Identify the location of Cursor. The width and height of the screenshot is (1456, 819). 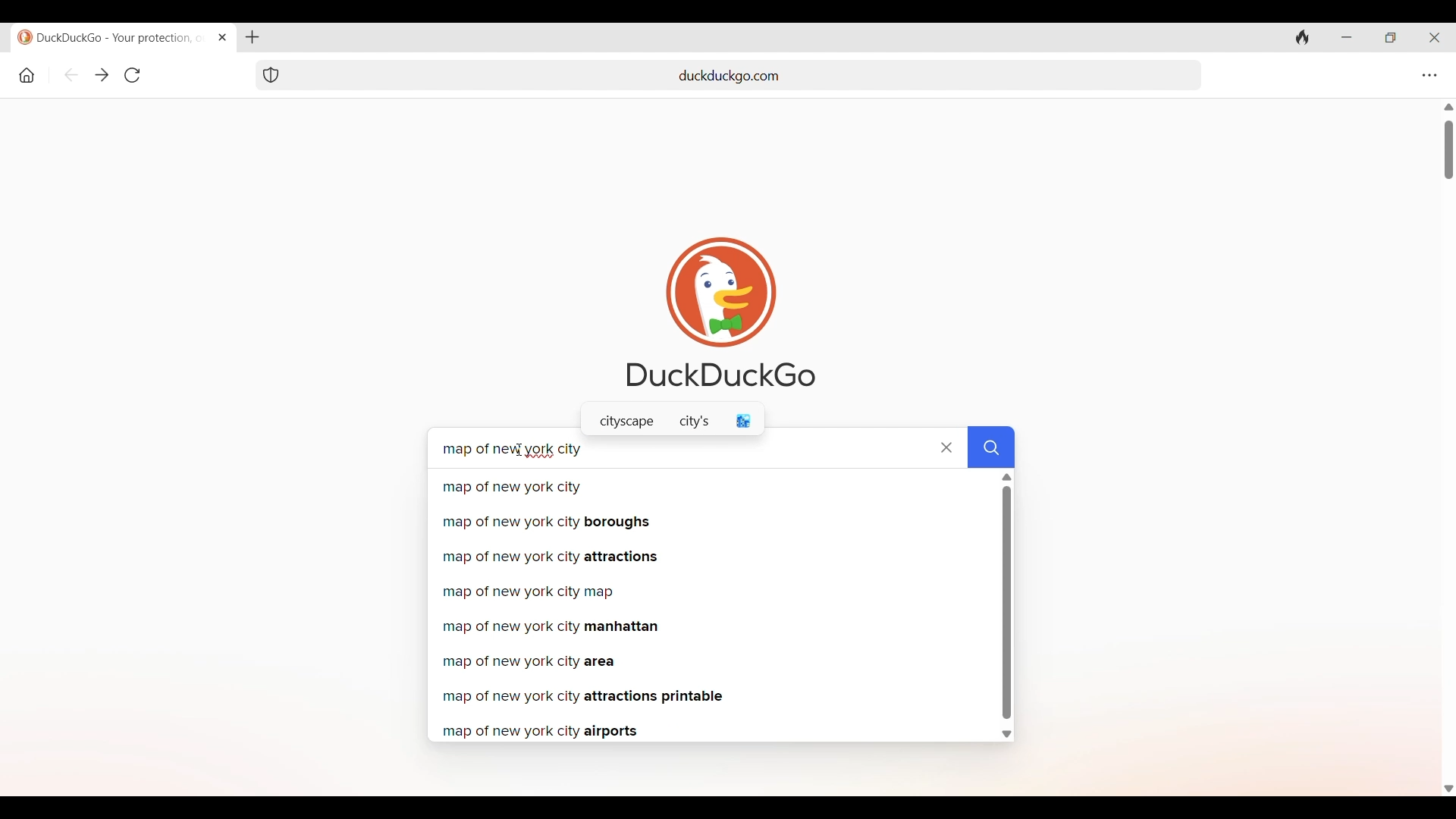
(519, 450).